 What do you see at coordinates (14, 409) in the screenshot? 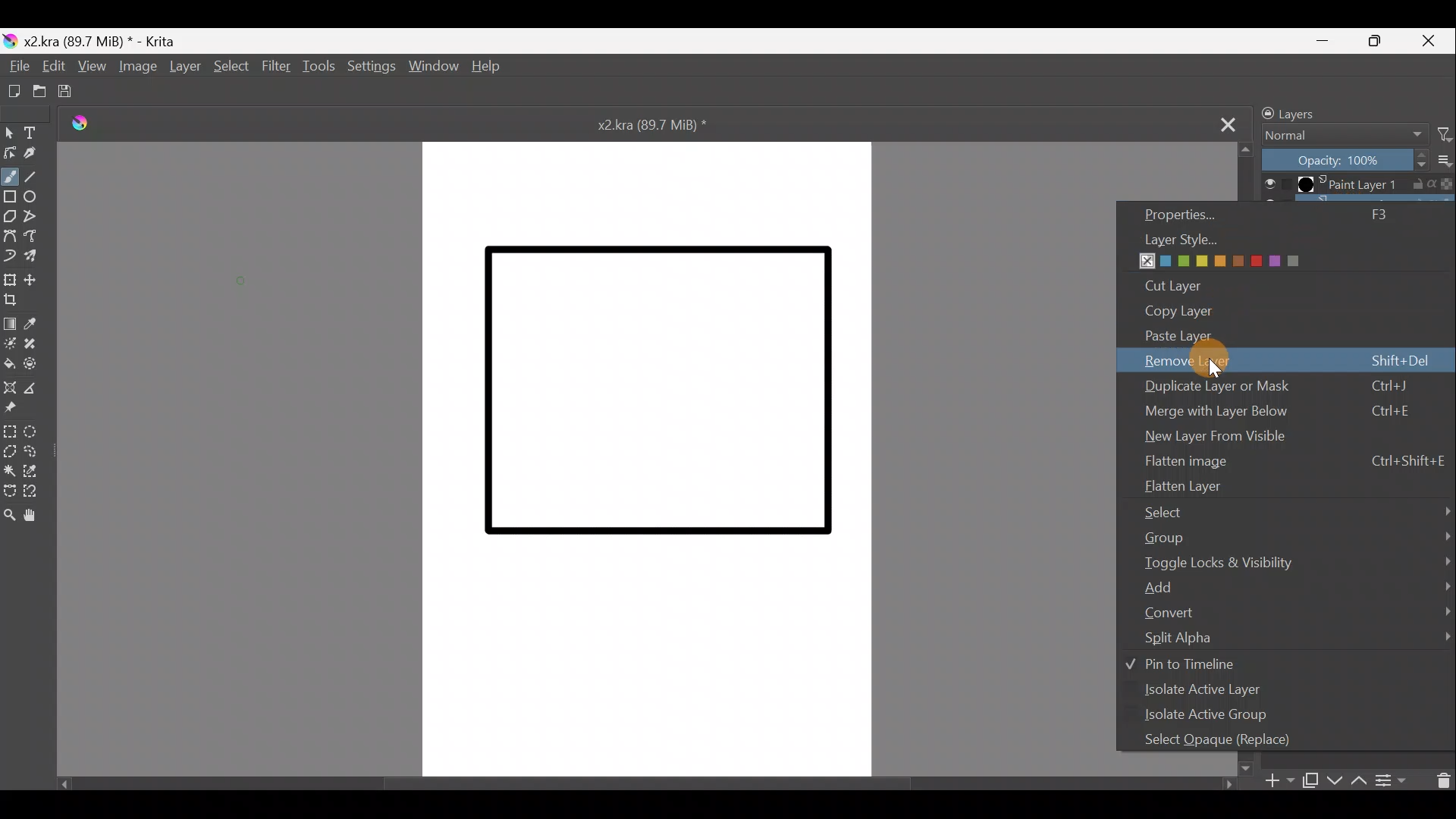
I see `Reference images tool` at bounding box center [14, 409].